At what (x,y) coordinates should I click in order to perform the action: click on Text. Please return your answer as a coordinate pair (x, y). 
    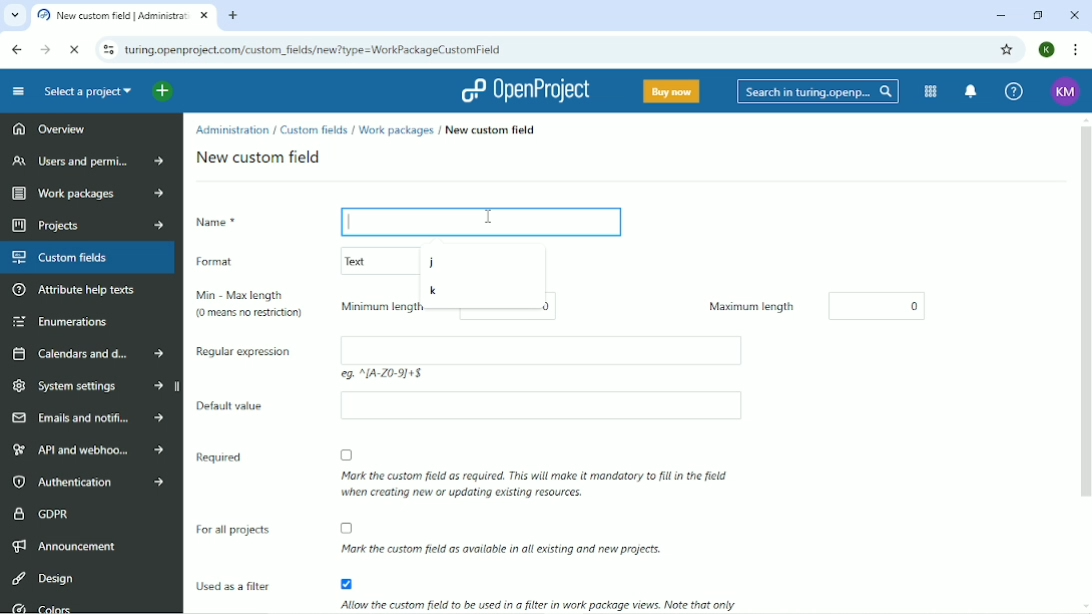
    Looking at the image, I should click on (415, 262).